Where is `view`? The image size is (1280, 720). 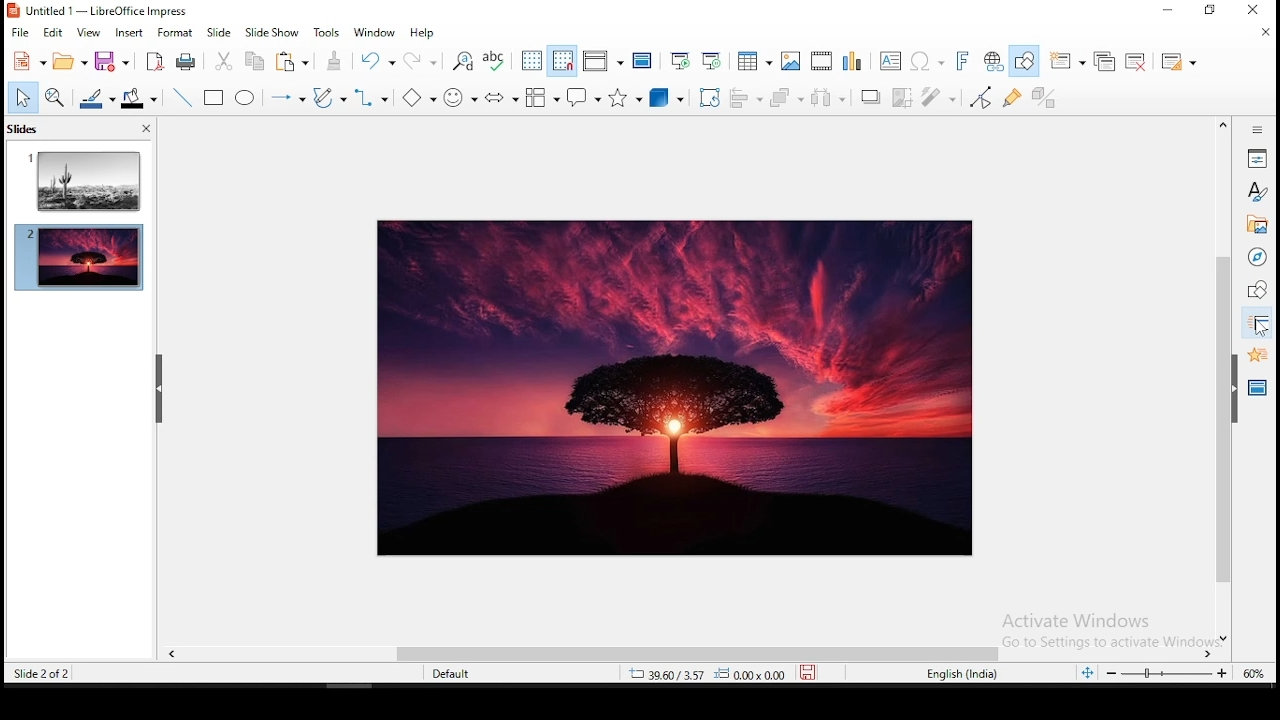
view is located at coordinates (84, 31).